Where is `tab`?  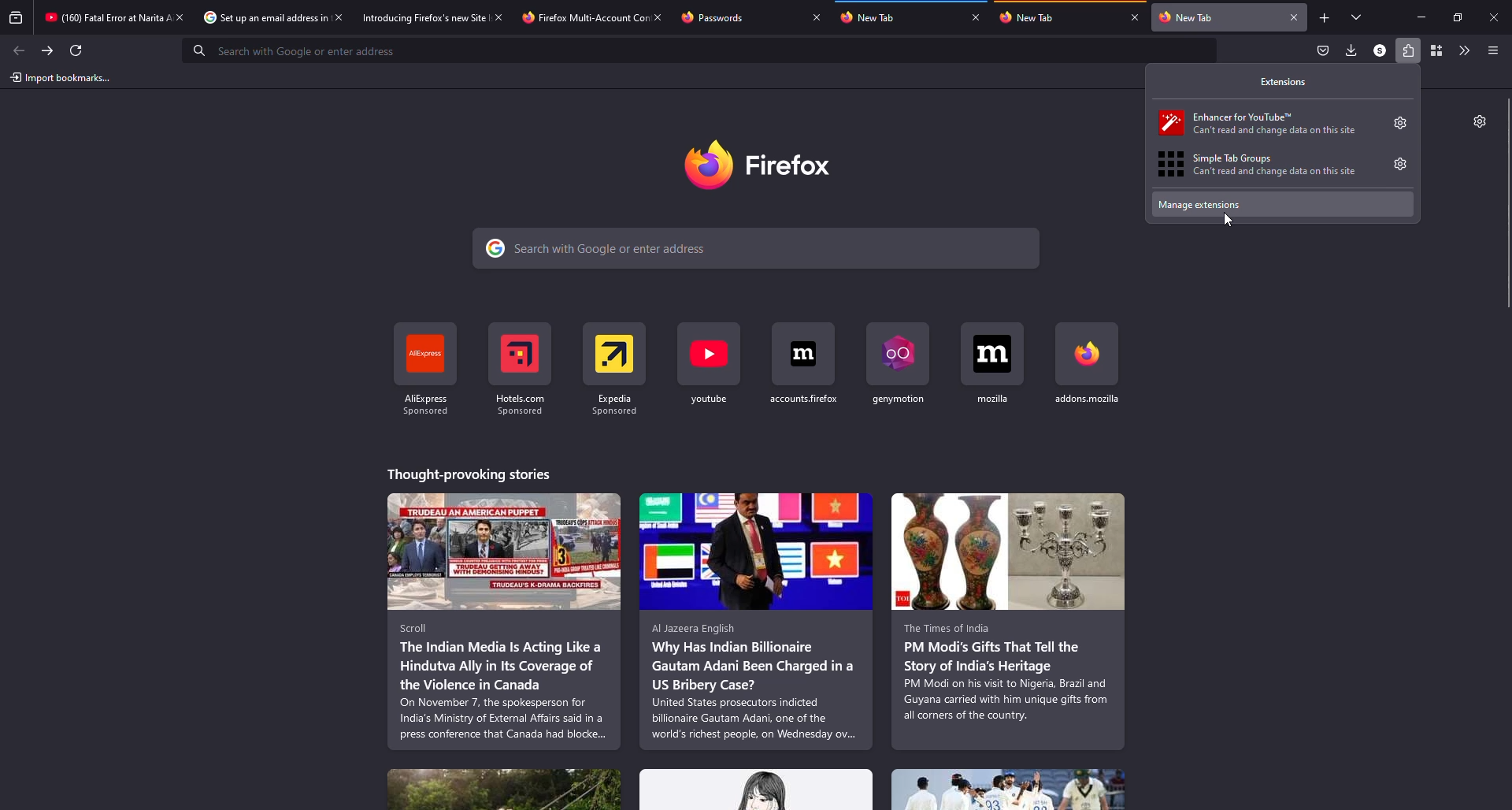
tab is located at coordinates (1027, 17).